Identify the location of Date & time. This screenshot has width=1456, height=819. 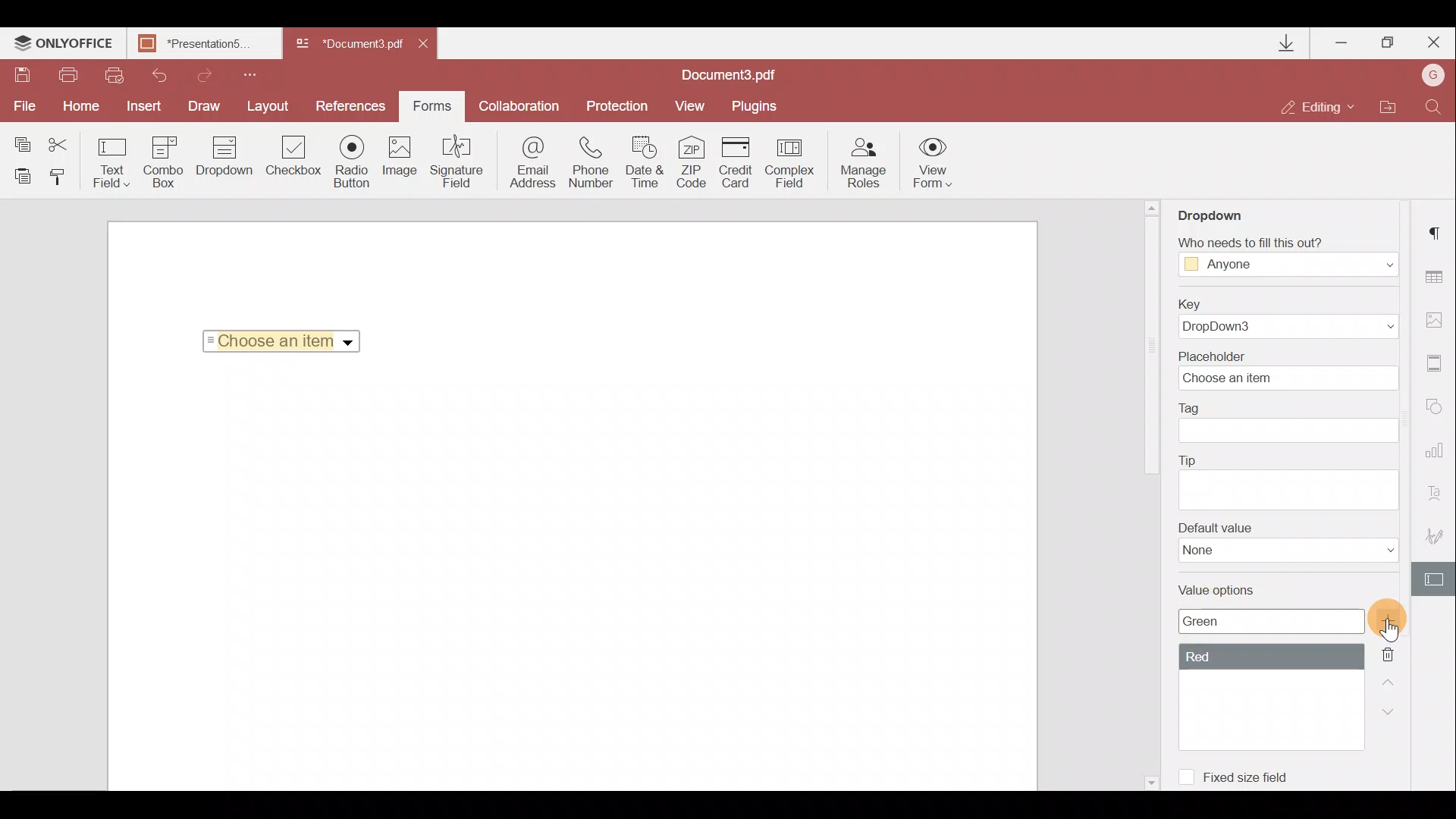
(648, 162).